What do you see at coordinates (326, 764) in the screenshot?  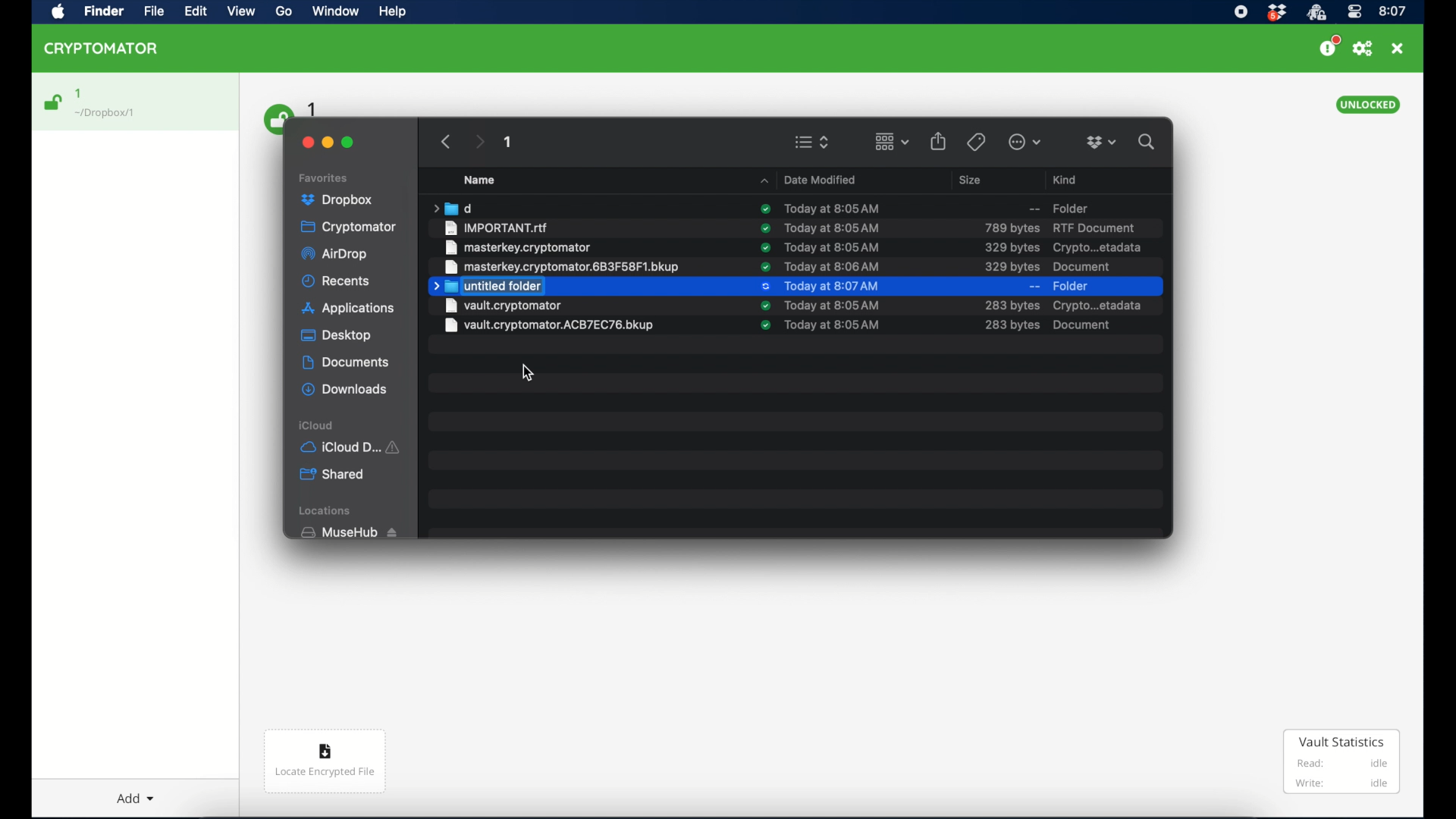 I see `Locate encrypted file` at bounding box center [326, 764].